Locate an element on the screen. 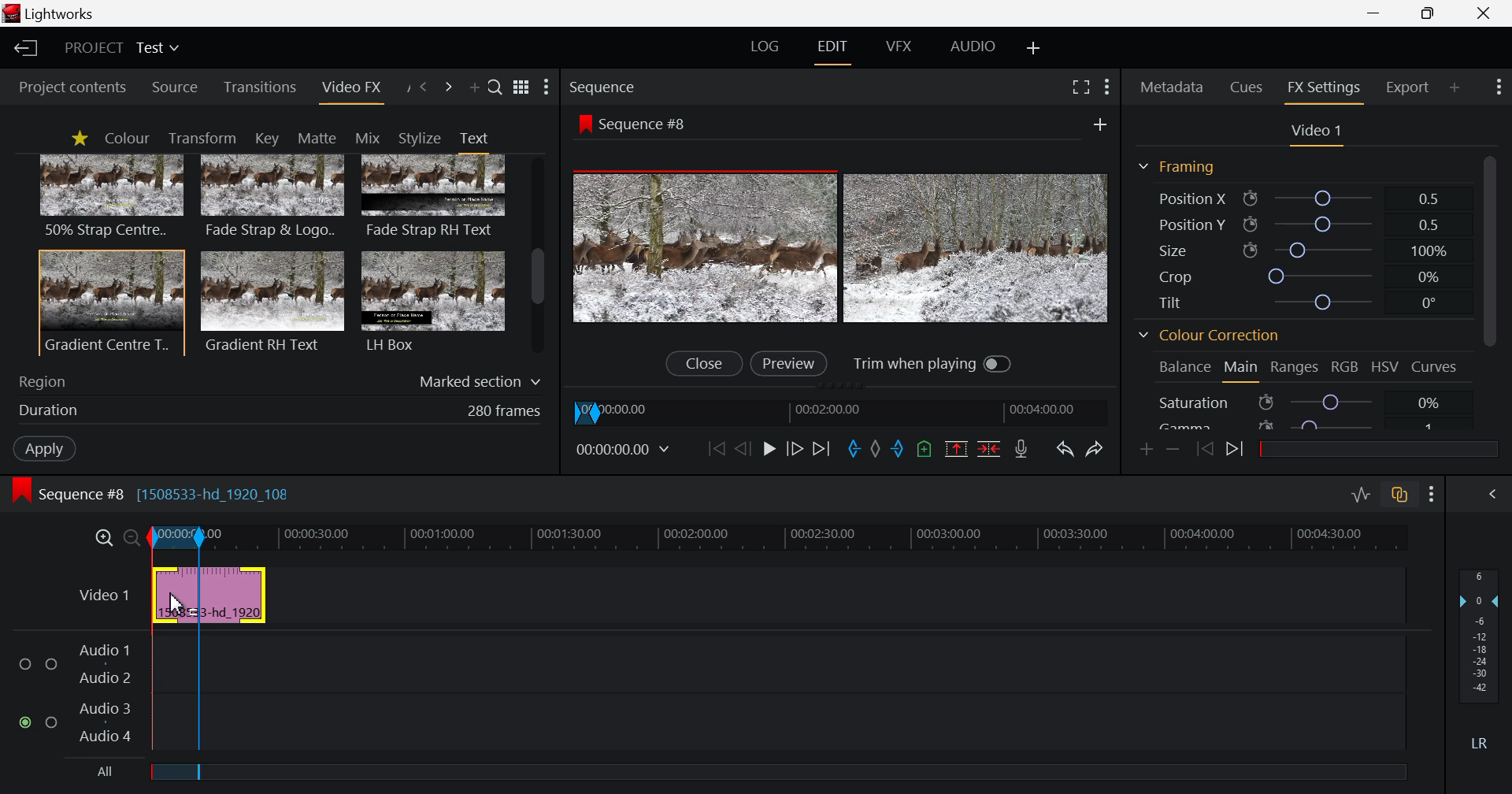 The width and height of the screenshot is (1512, 794). Main Tab Open is located at coordinates (1242, 369).